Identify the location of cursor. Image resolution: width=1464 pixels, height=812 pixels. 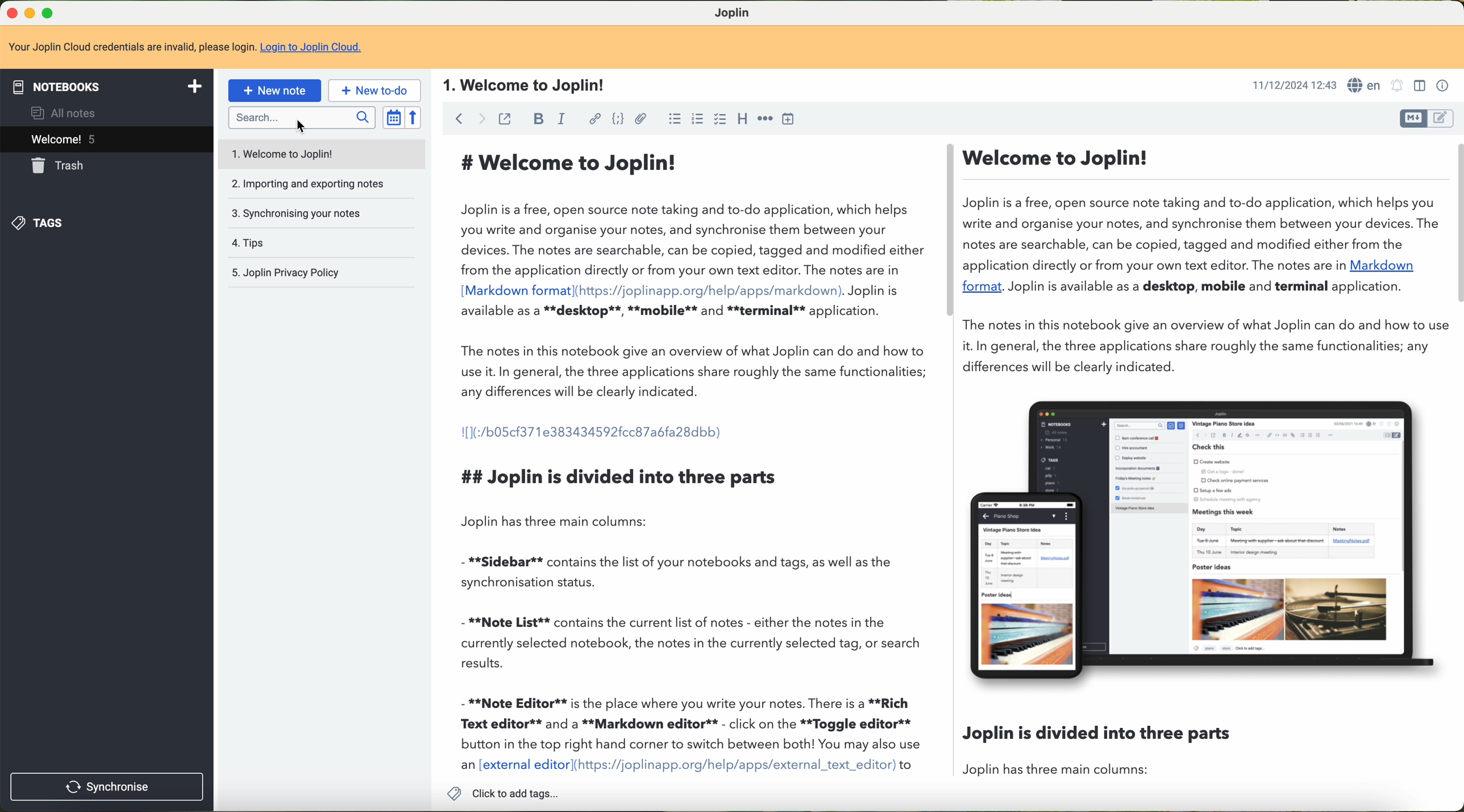
(305, 128).